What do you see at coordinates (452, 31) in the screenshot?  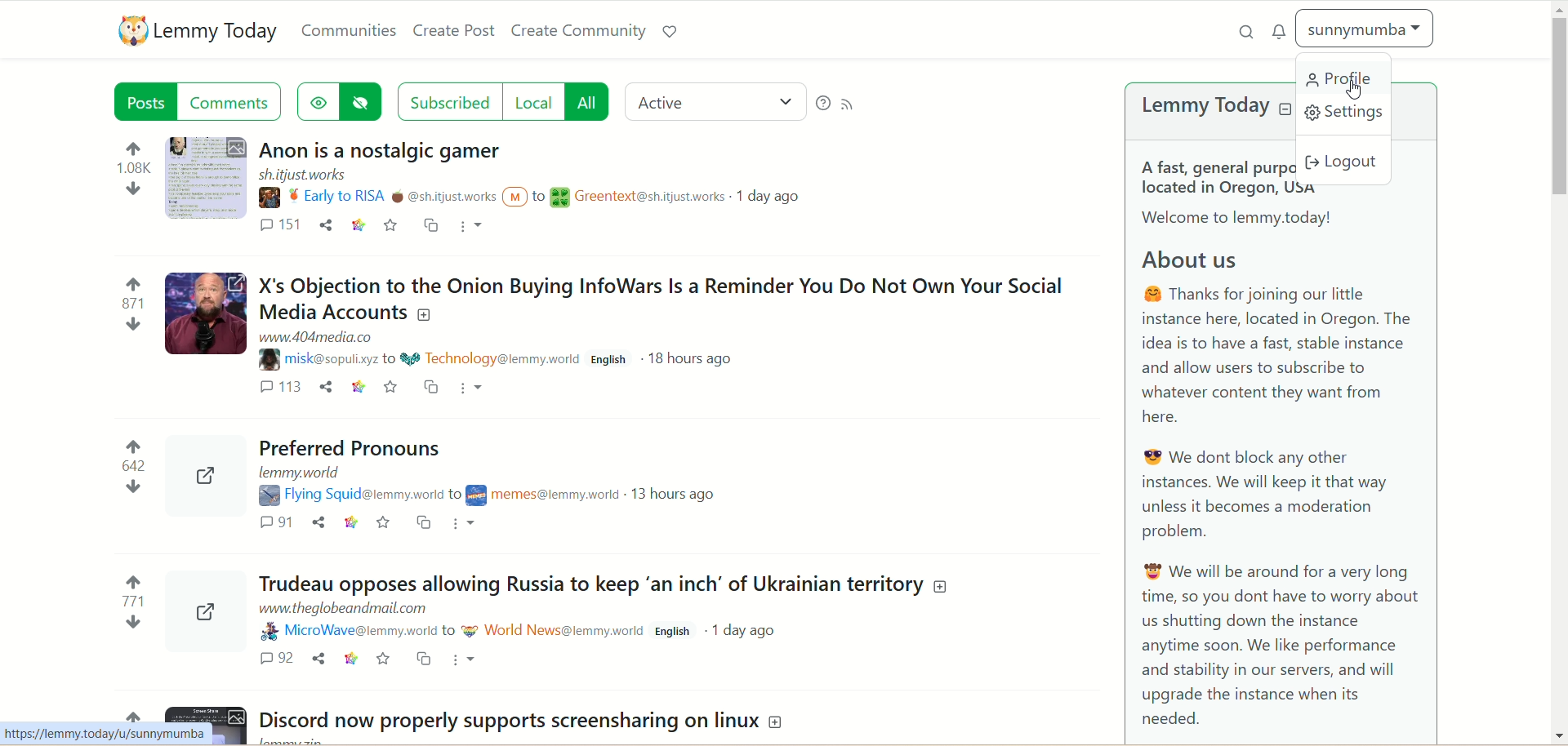 I see `create post` at bounding box center [452, 31].